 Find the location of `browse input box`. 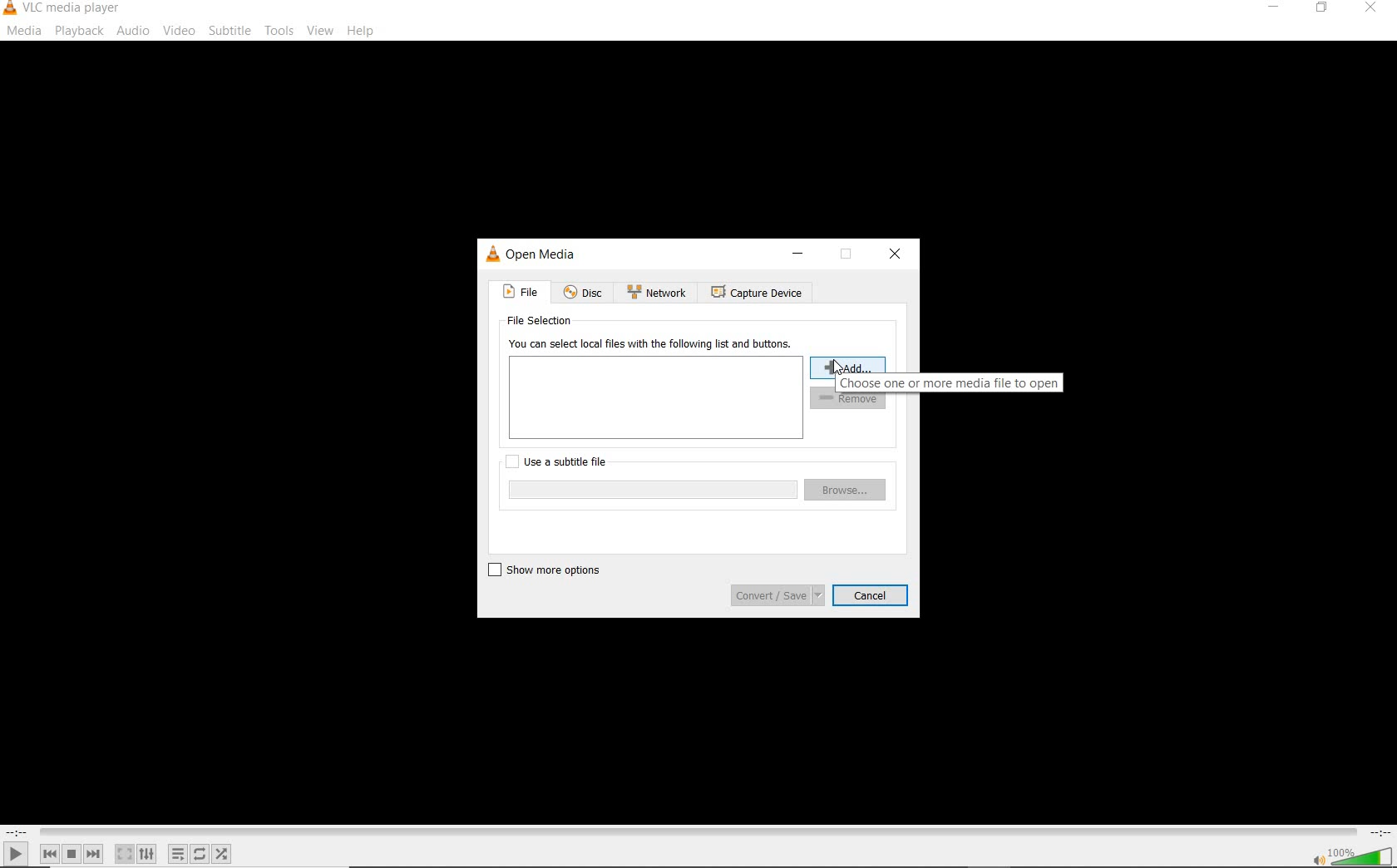

browse input box is located at coordinates (650, 490).